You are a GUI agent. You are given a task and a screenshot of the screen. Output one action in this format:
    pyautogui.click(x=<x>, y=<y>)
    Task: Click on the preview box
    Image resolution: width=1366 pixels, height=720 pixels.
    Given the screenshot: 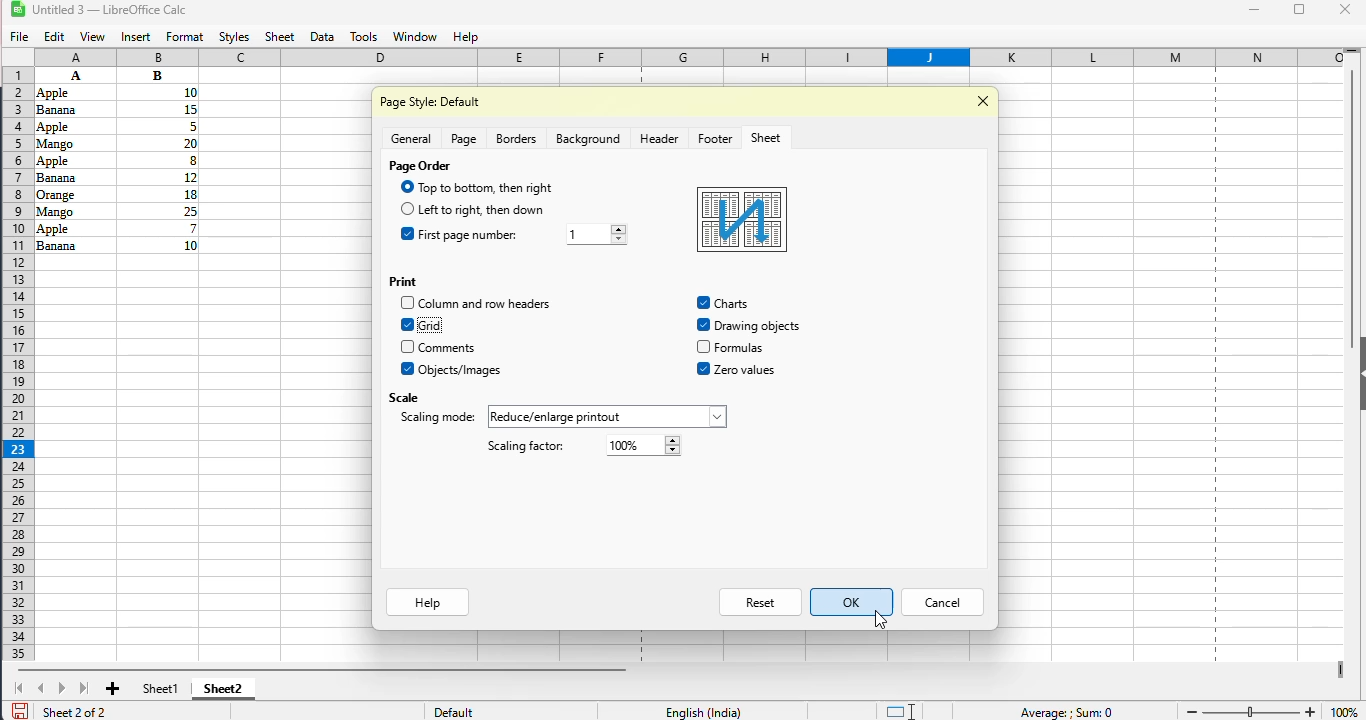 What is the action you would take?
    pyautogui.click(x=742, y=220)
    